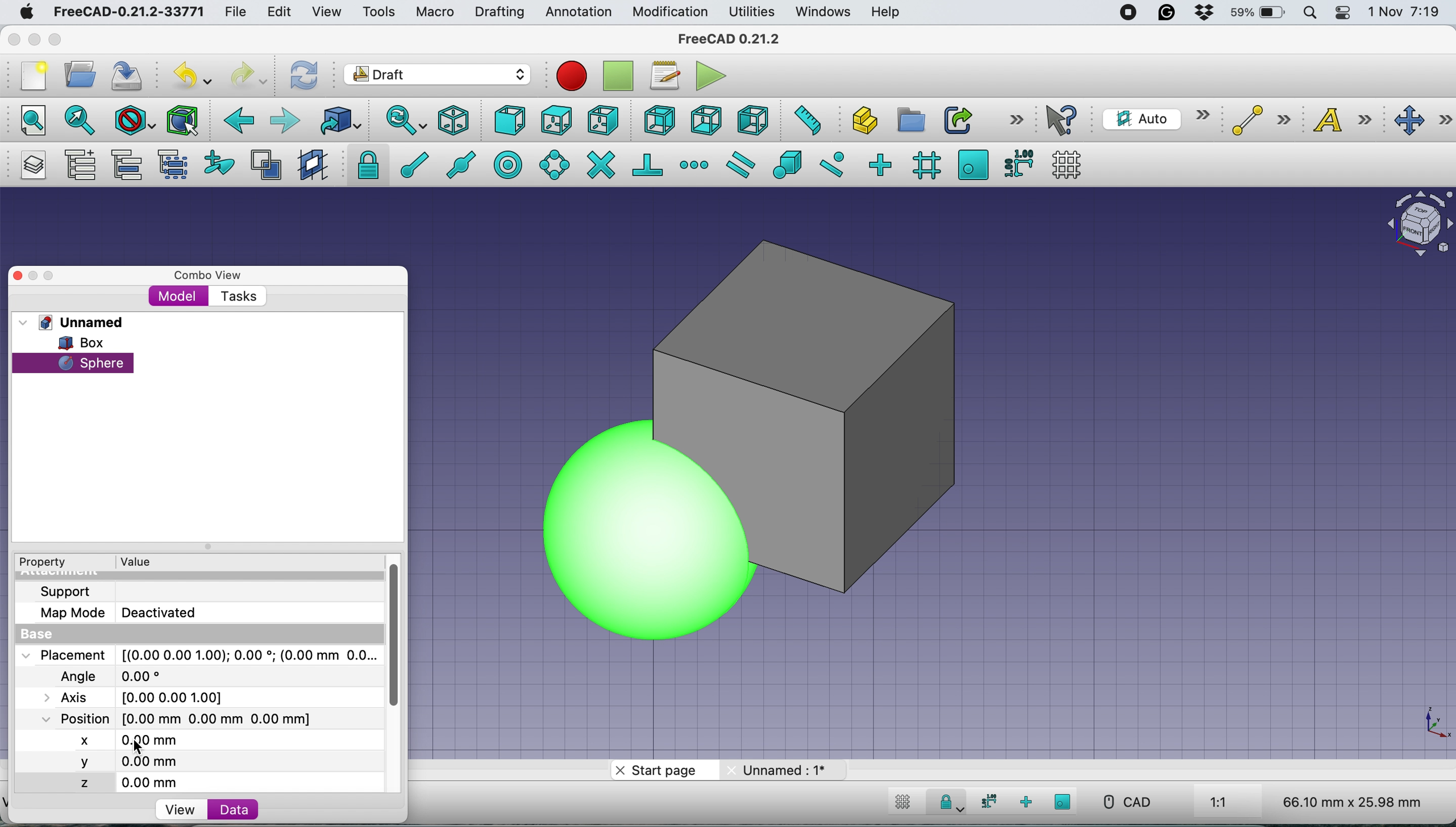 This screenshot has height=827, width=1456. I want to click on make link, so click(958, 119).